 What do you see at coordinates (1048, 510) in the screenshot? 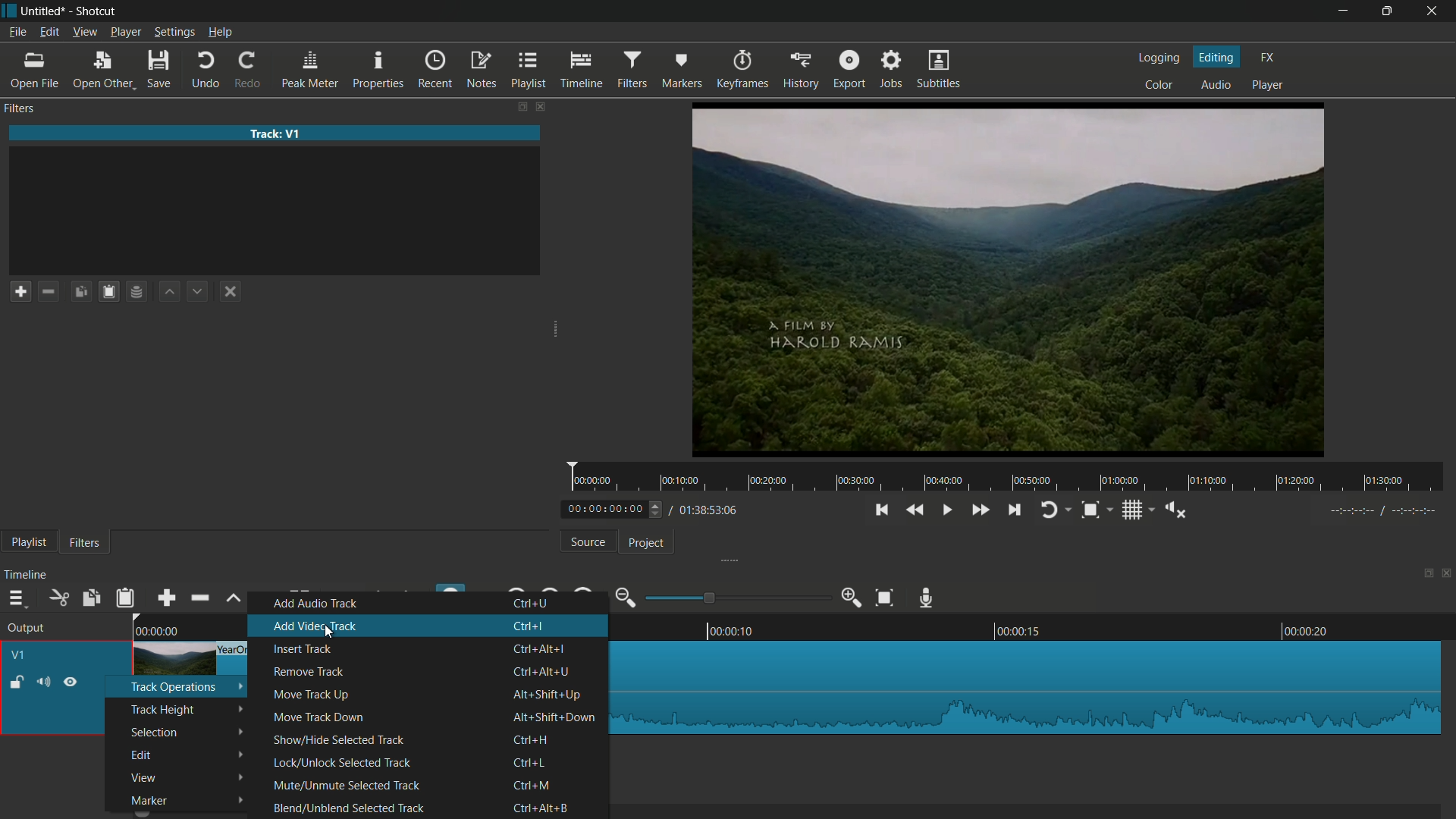
I see `toggle player looping` at bounding box center [1048, 510].